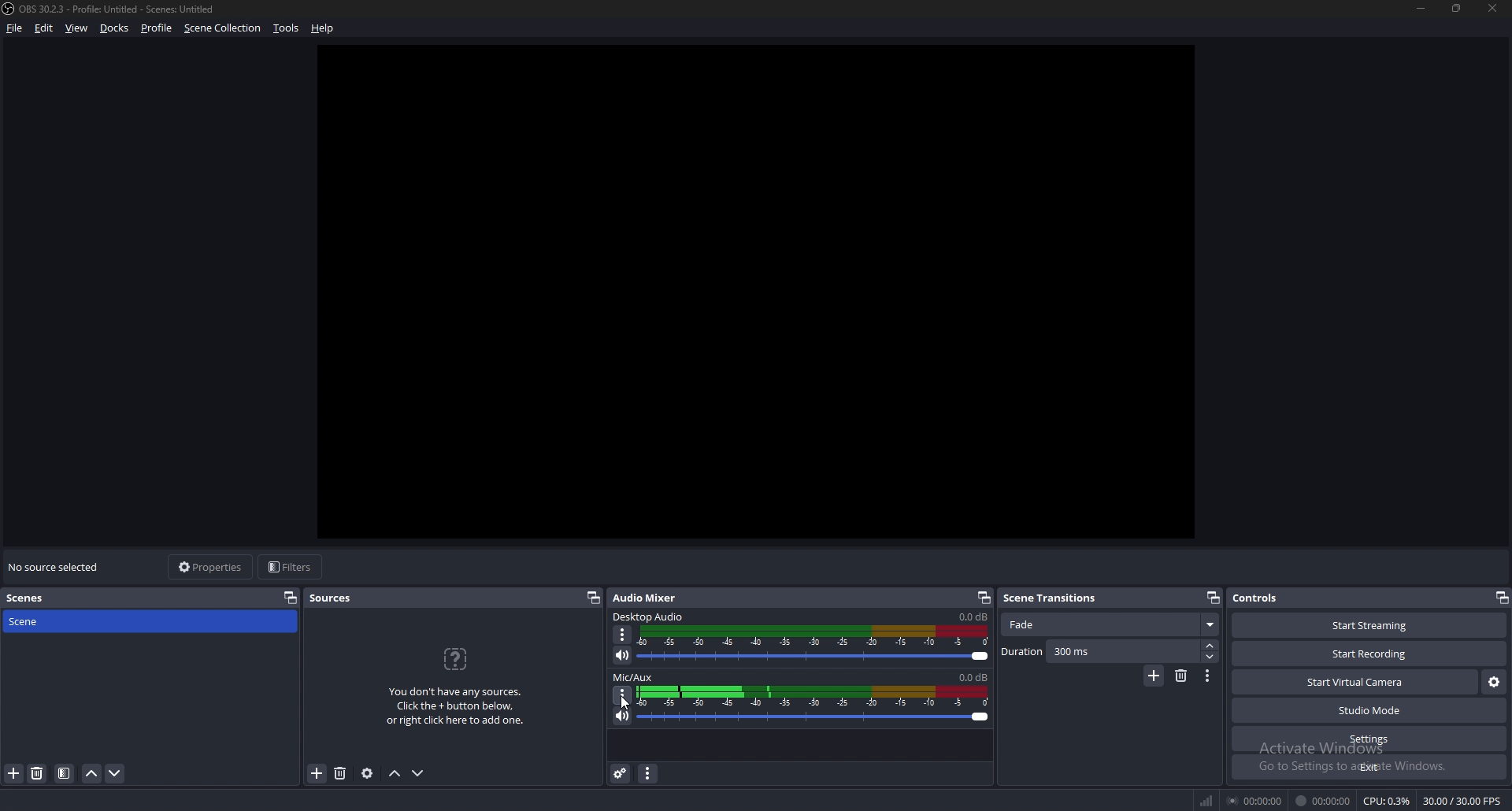  What do you see at coordinates (55, 566) in the screenshot?
I see `no source selected` at bounding box center [55, 566].